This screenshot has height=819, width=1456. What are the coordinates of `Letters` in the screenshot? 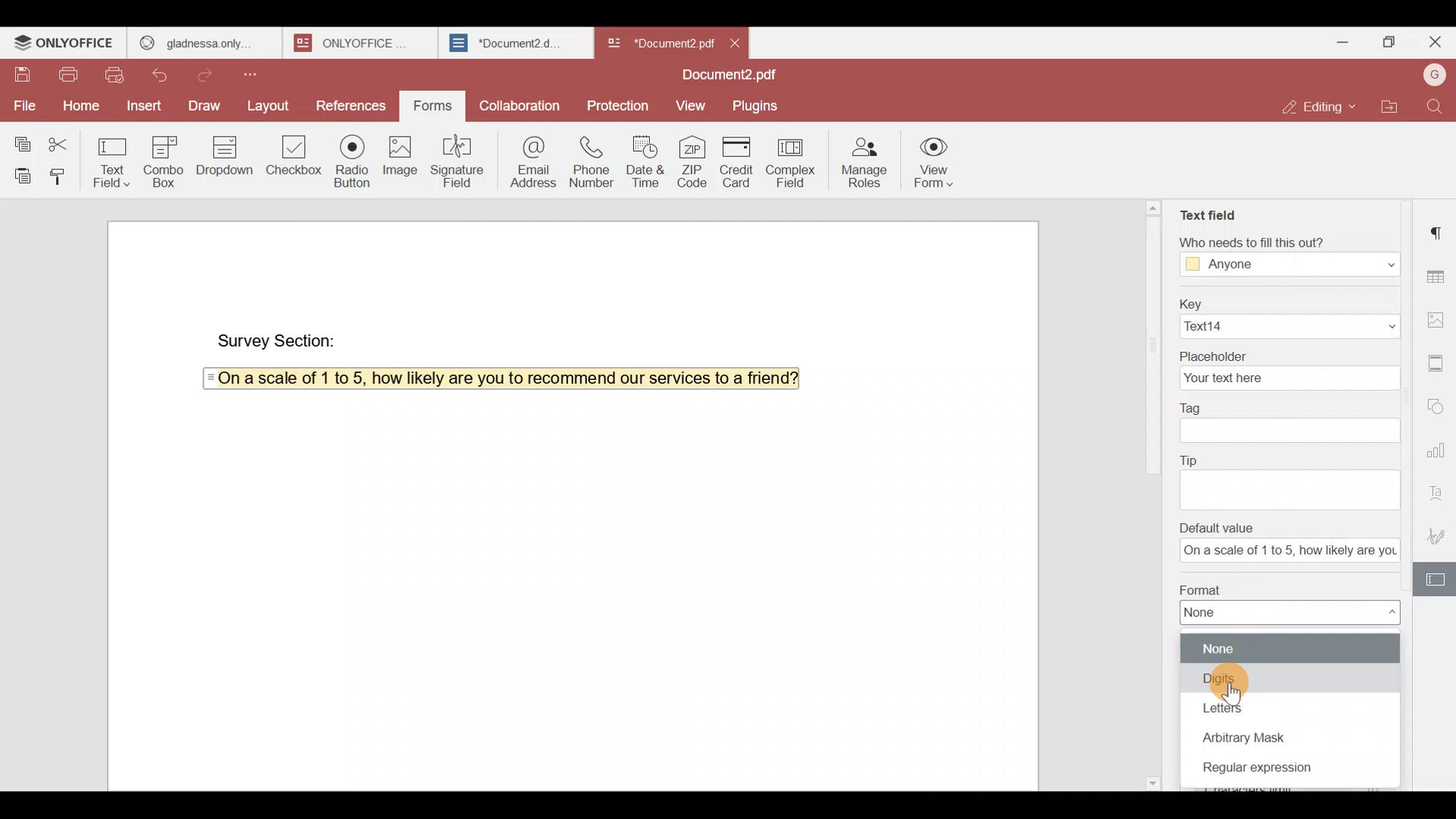 It's located at (1228, 705).